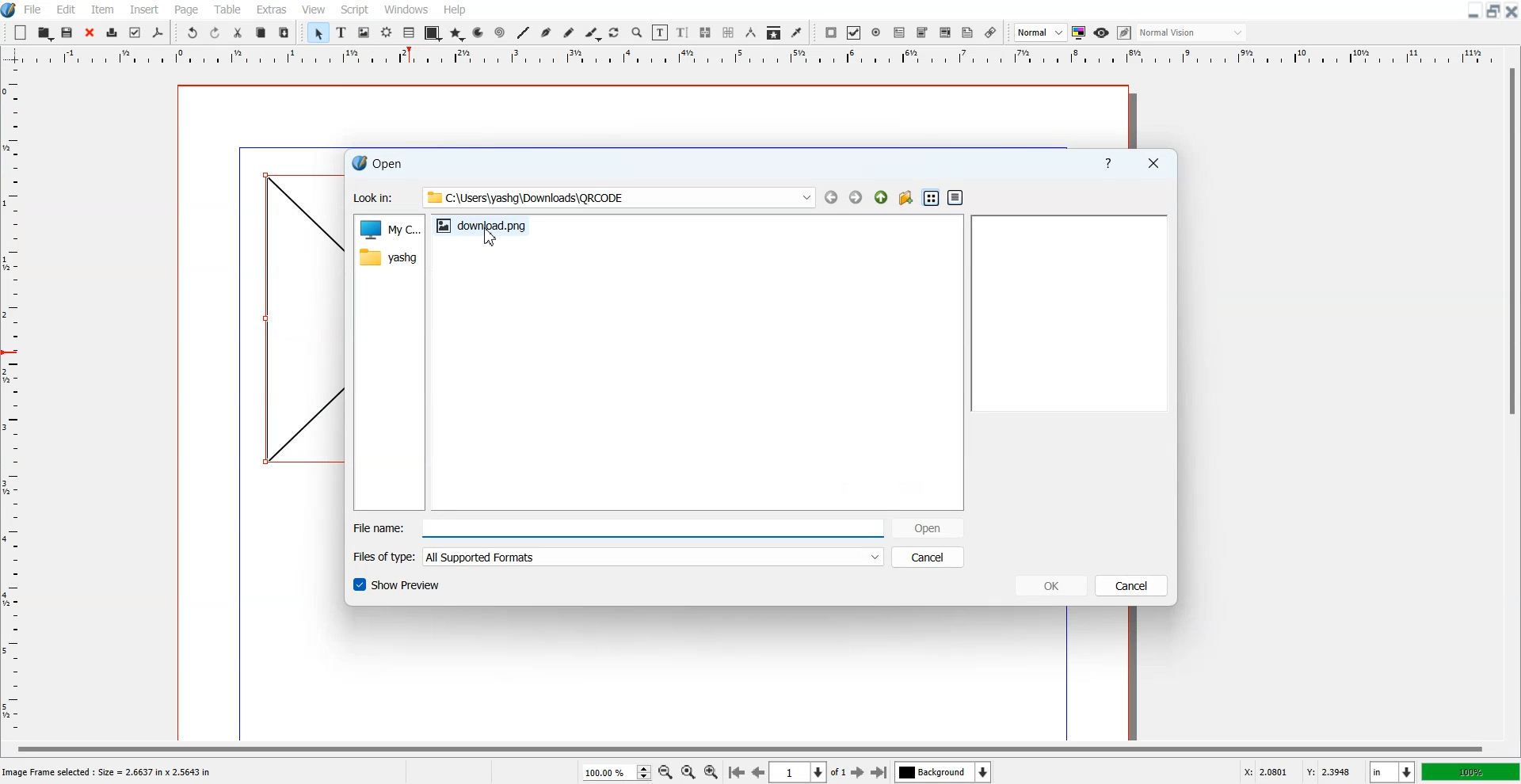 Image resolution: width=1521 pixels, height=784 pixels. What do you see at coordinates (492, 236) in the screenshot?
I see `Cursor` at bounding box center [492, 236].